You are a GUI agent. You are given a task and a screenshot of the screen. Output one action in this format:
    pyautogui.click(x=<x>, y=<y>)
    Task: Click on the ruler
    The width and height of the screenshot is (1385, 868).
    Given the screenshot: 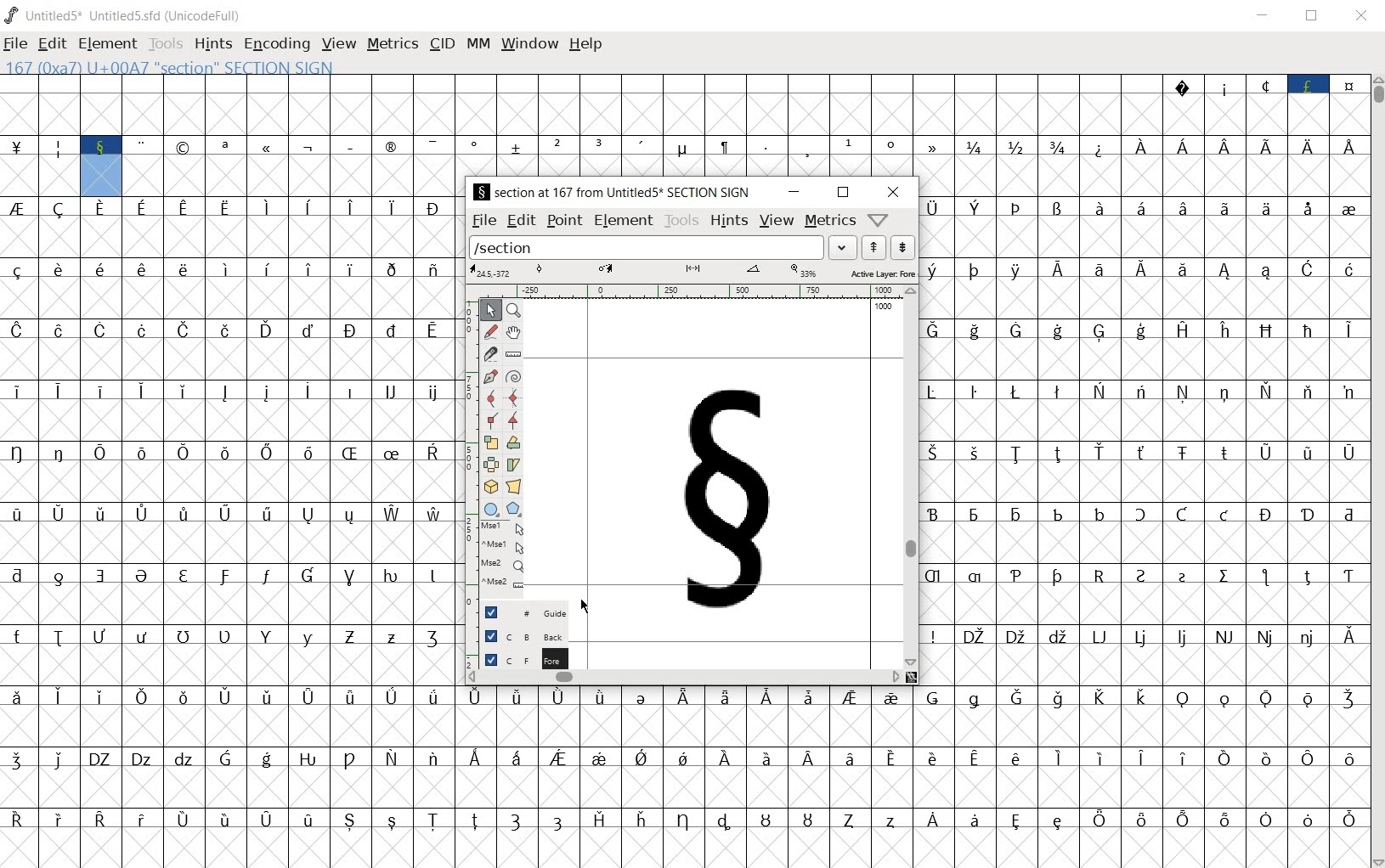 What is the action you would take?
    pyautogui.click(x=687, y=291)
    